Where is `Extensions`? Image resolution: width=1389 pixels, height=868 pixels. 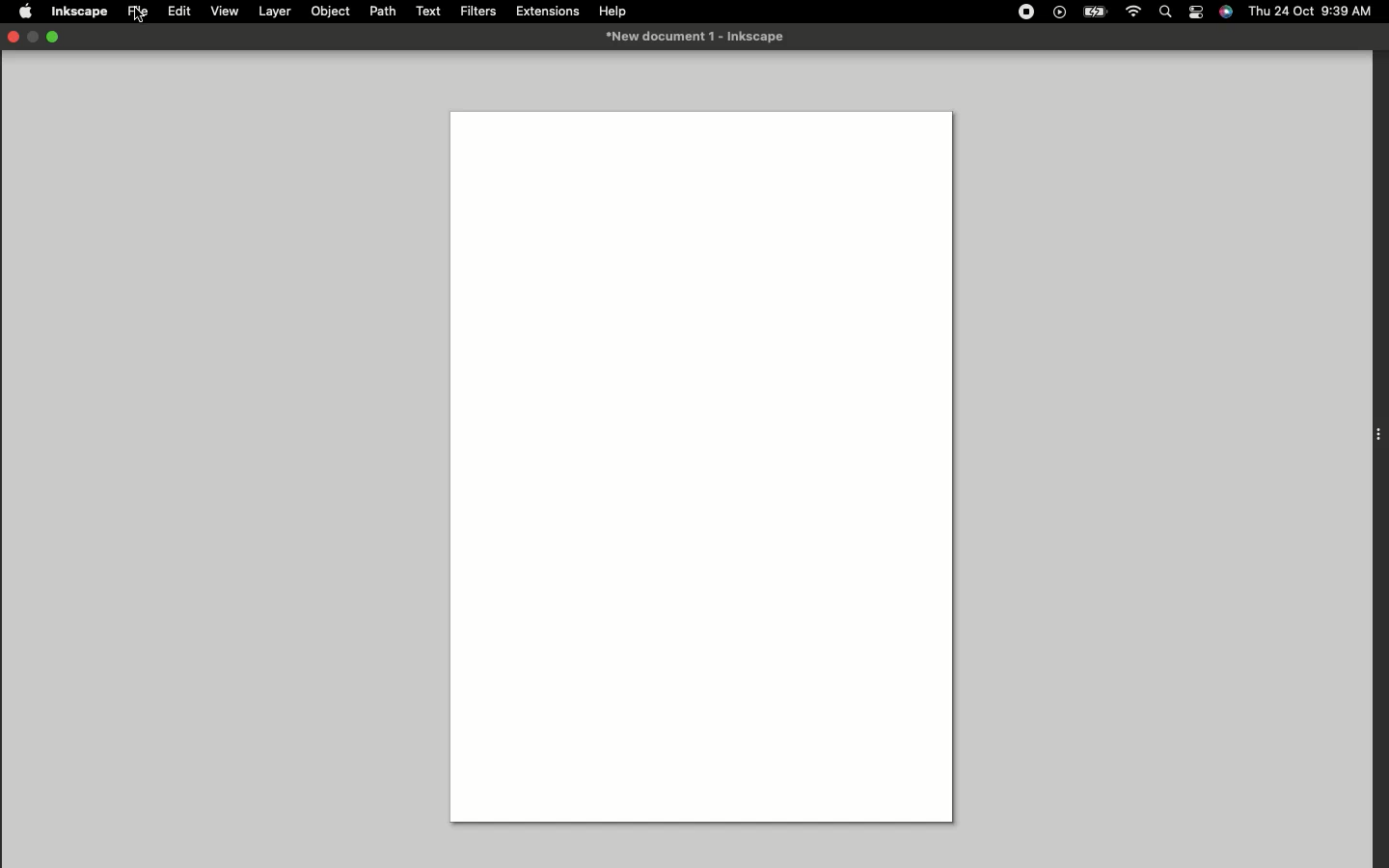 Extensions is located at coordinates (547, 11).